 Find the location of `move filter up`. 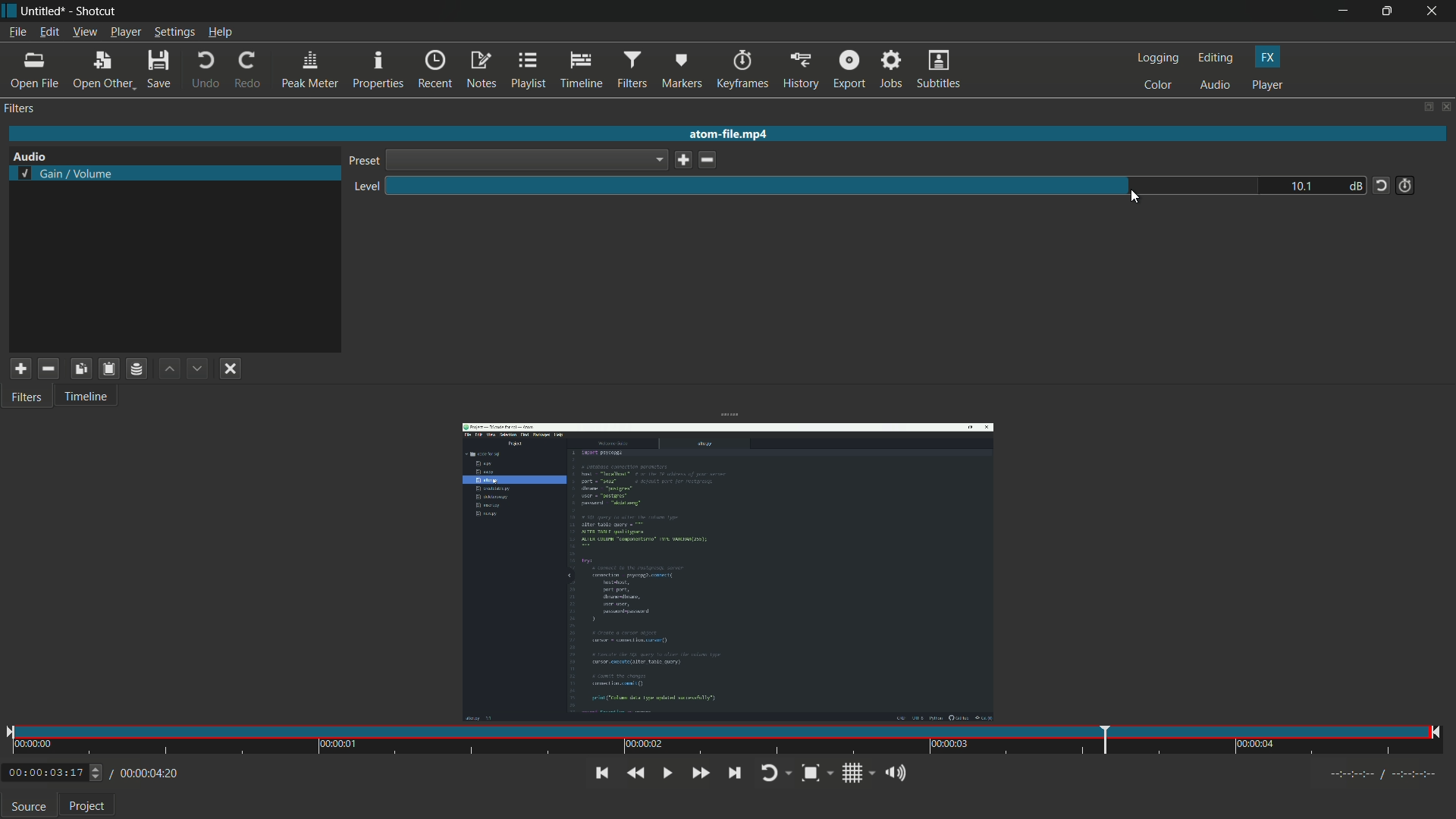

move filter up is located at coordinates (168, 369).